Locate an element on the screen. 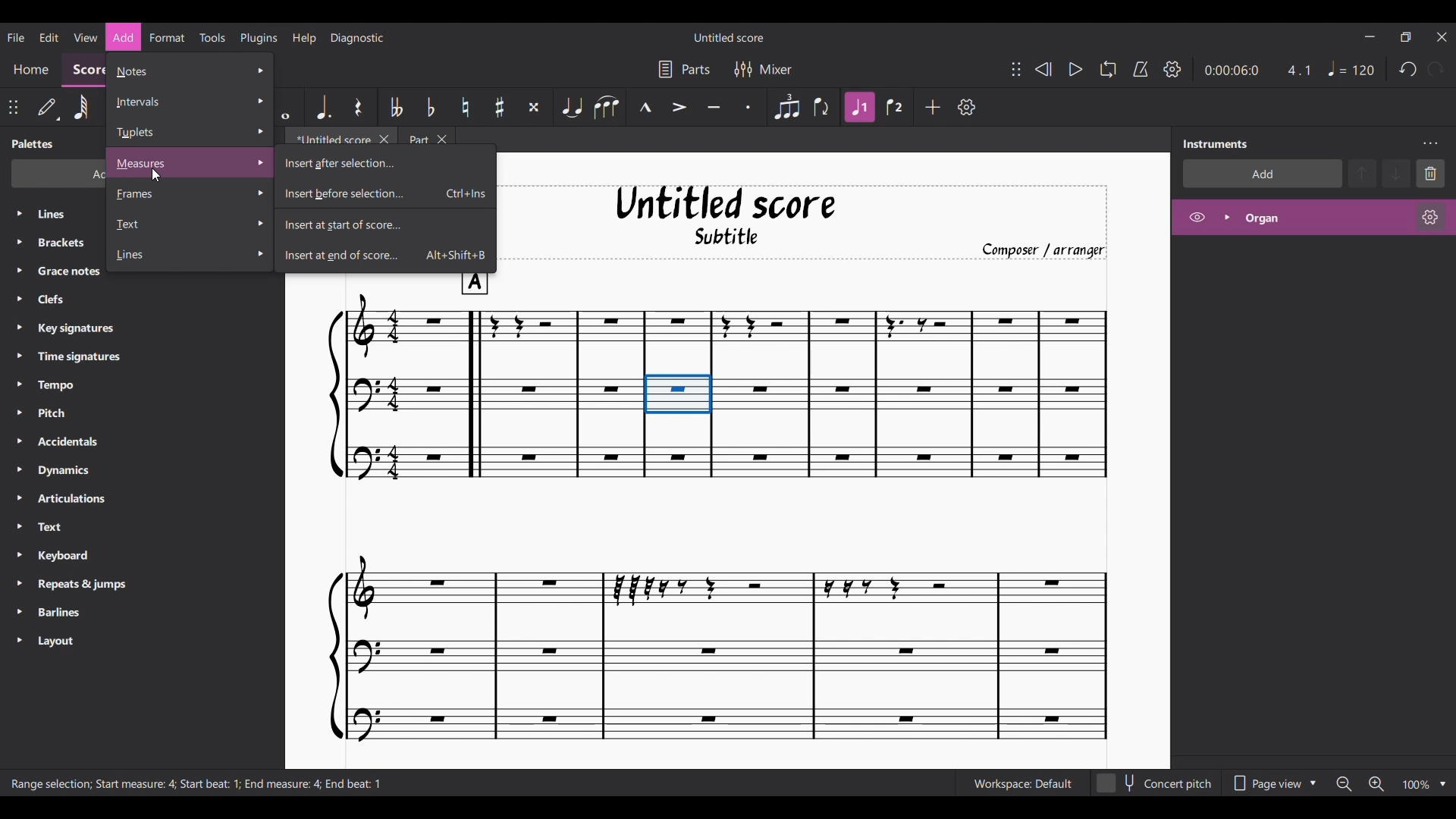 This screenshot has height=819, width=1456. Close Untitled tab is located at coordinates (384, 140).